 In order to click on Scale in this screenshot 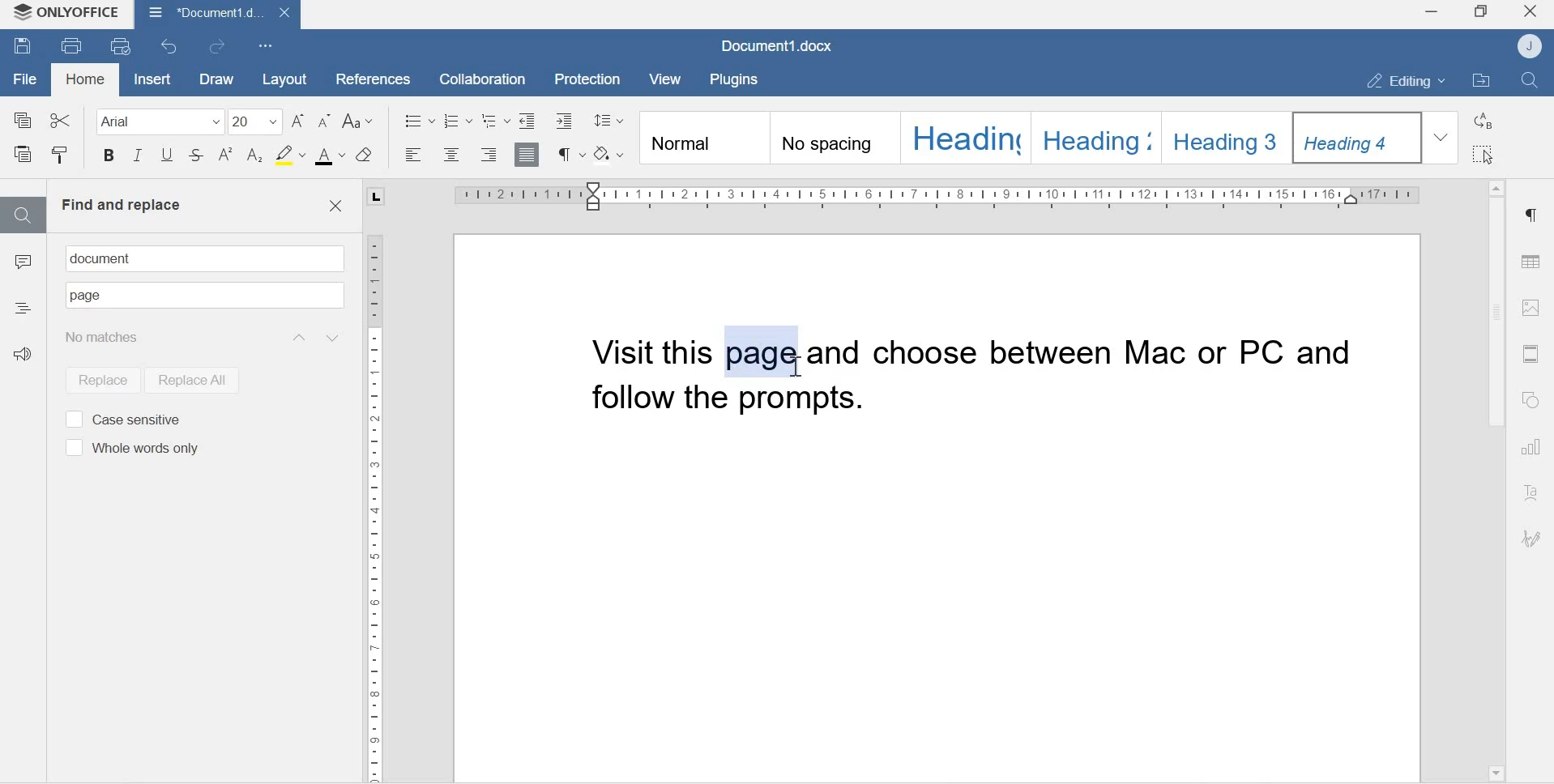, I will do `click(375, 496)`.